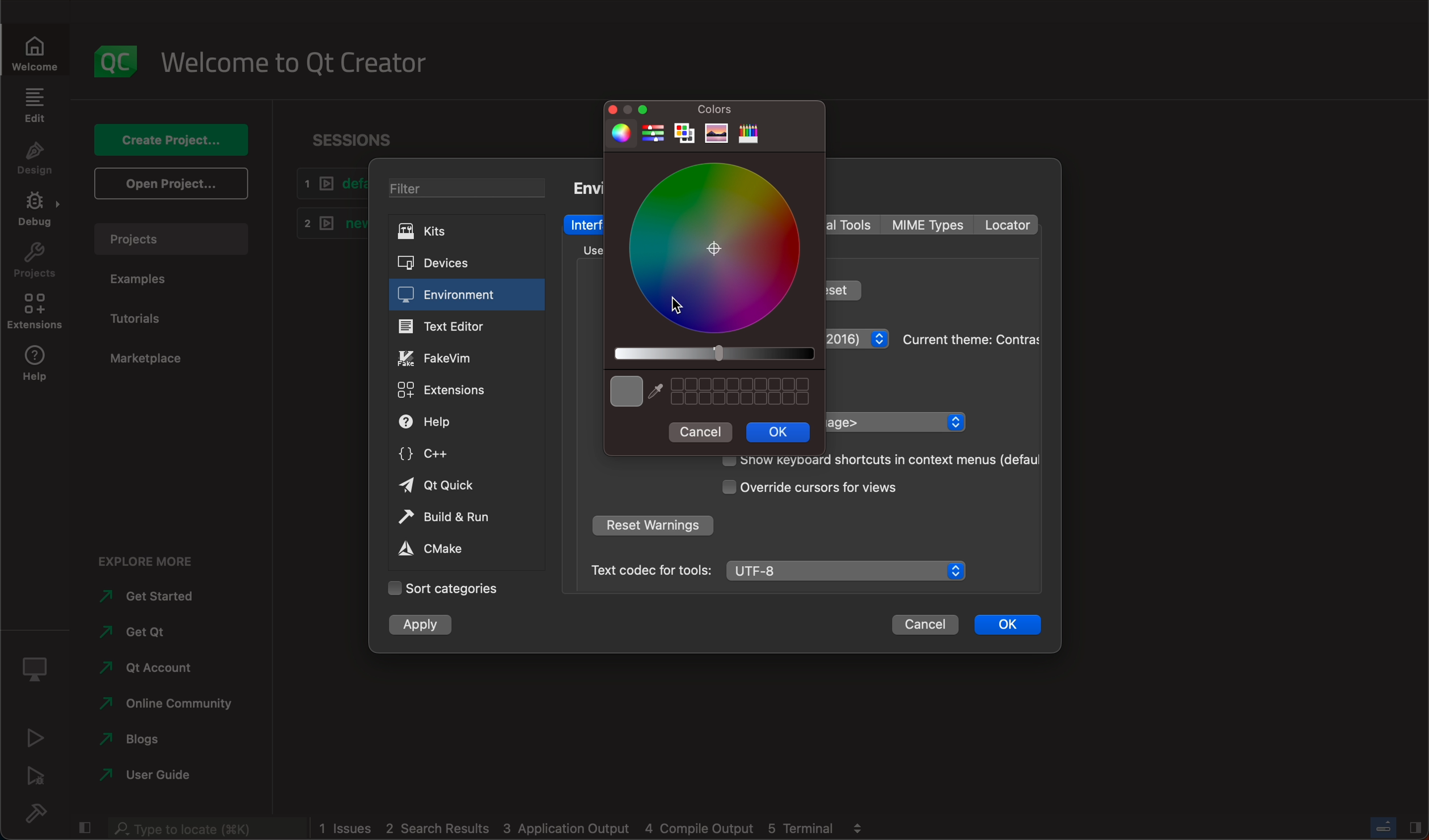 This screenshot has height=840, width=1429. I want to click on examples, so click(149, 281).